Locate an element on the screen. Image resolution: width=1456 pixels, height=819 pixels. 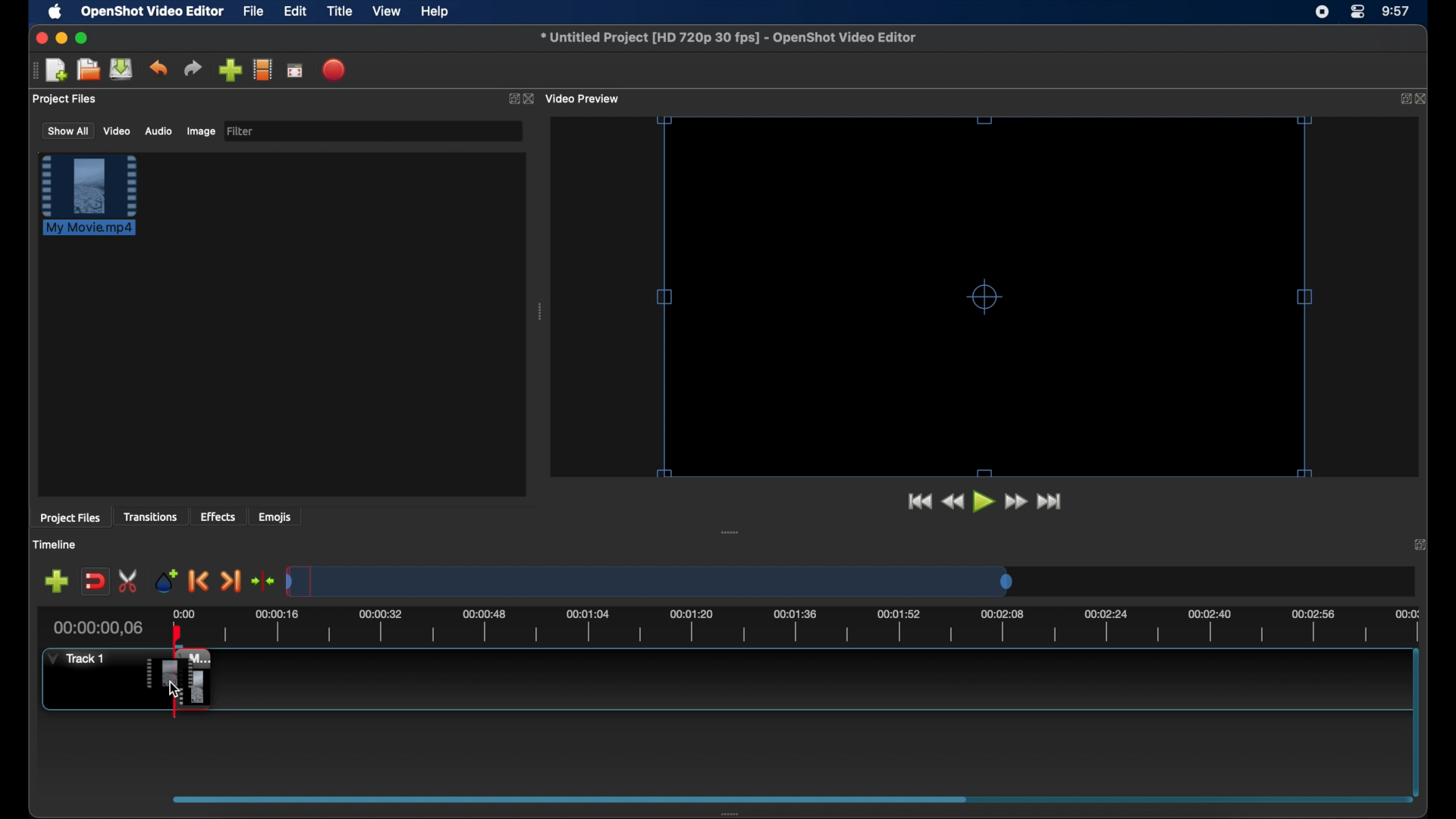
audio is located at coordinates (158, 131).